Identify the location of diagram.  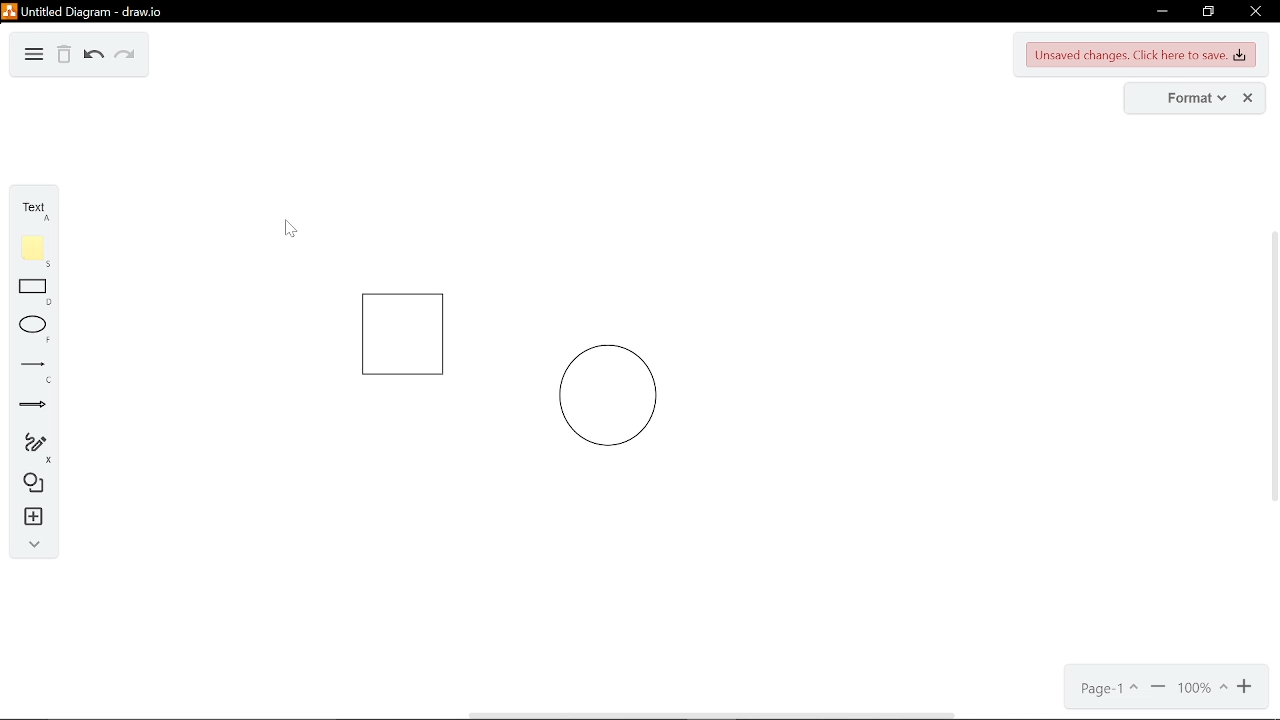
(34, 56).